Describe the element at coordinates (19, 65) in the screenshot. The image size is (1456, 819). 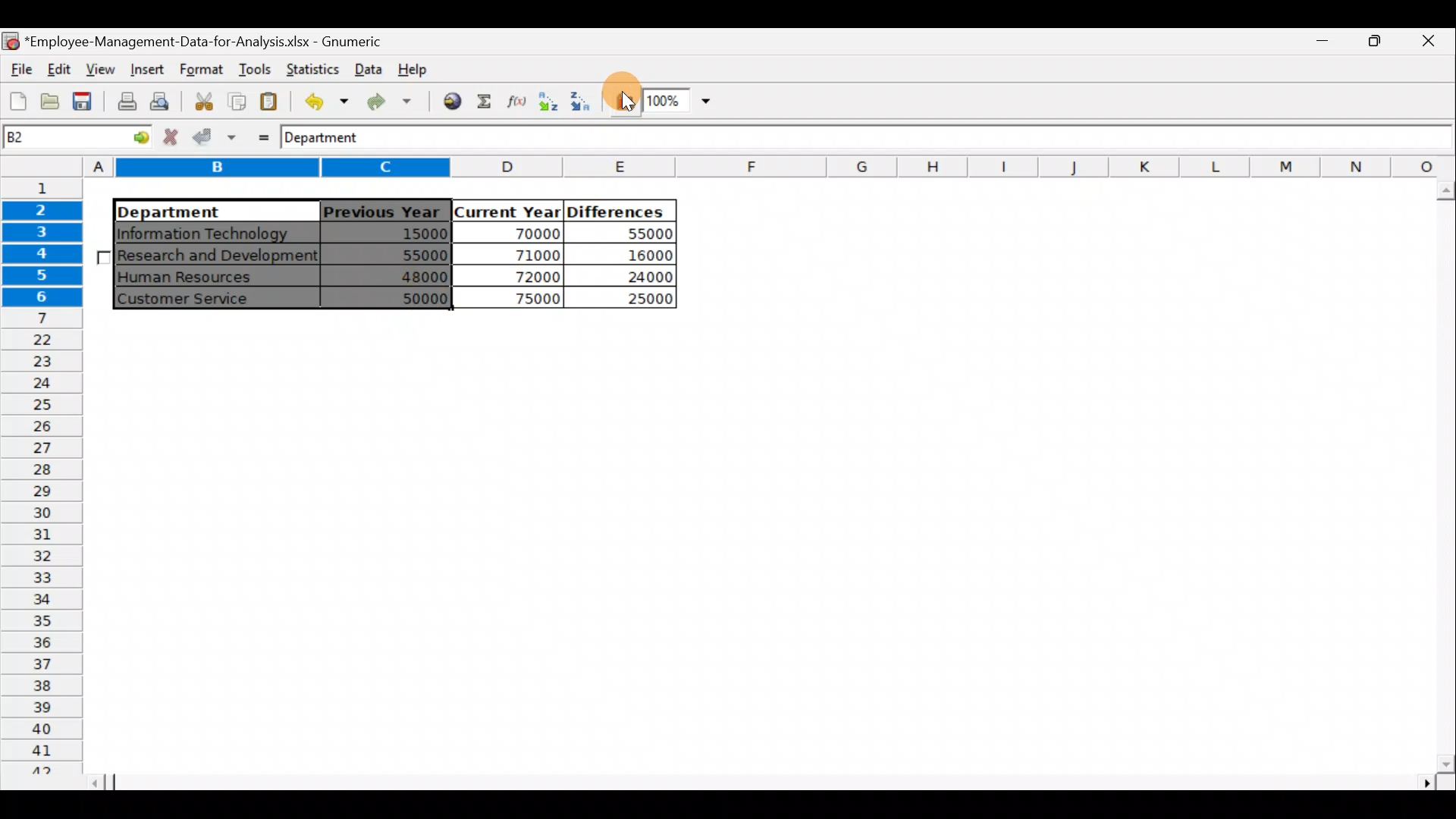
I see `File` at that location.